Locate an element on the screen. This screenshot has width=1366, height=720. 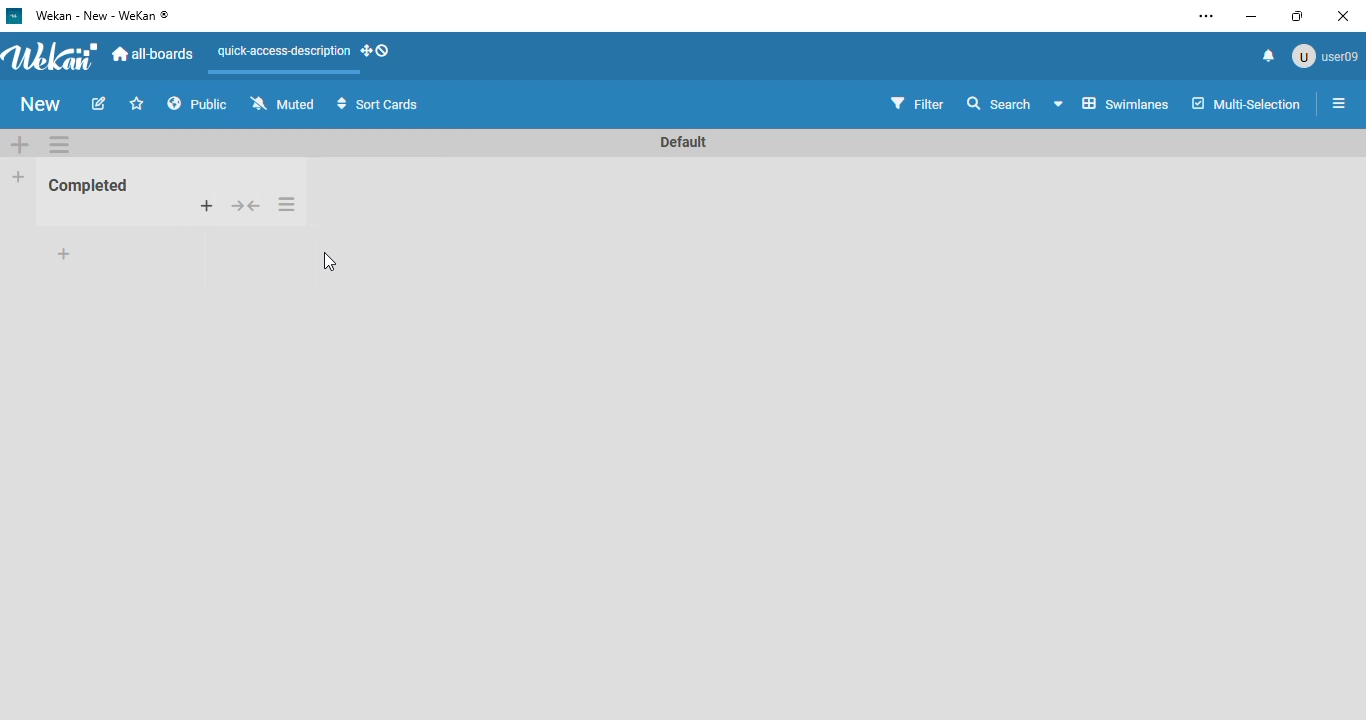
wekan - new - wekan  is located at coordinates (102, 15).